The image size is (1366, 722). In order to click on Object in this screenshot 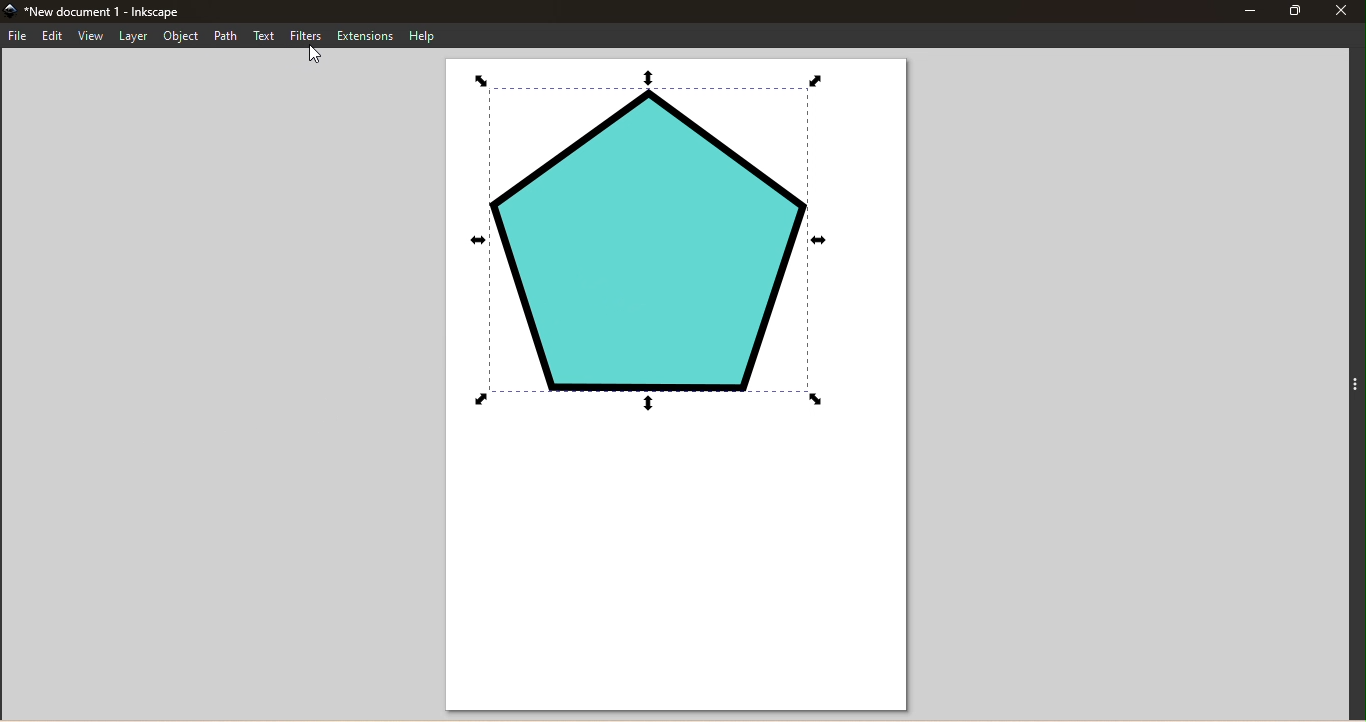, I will do `click(181, 36)`.